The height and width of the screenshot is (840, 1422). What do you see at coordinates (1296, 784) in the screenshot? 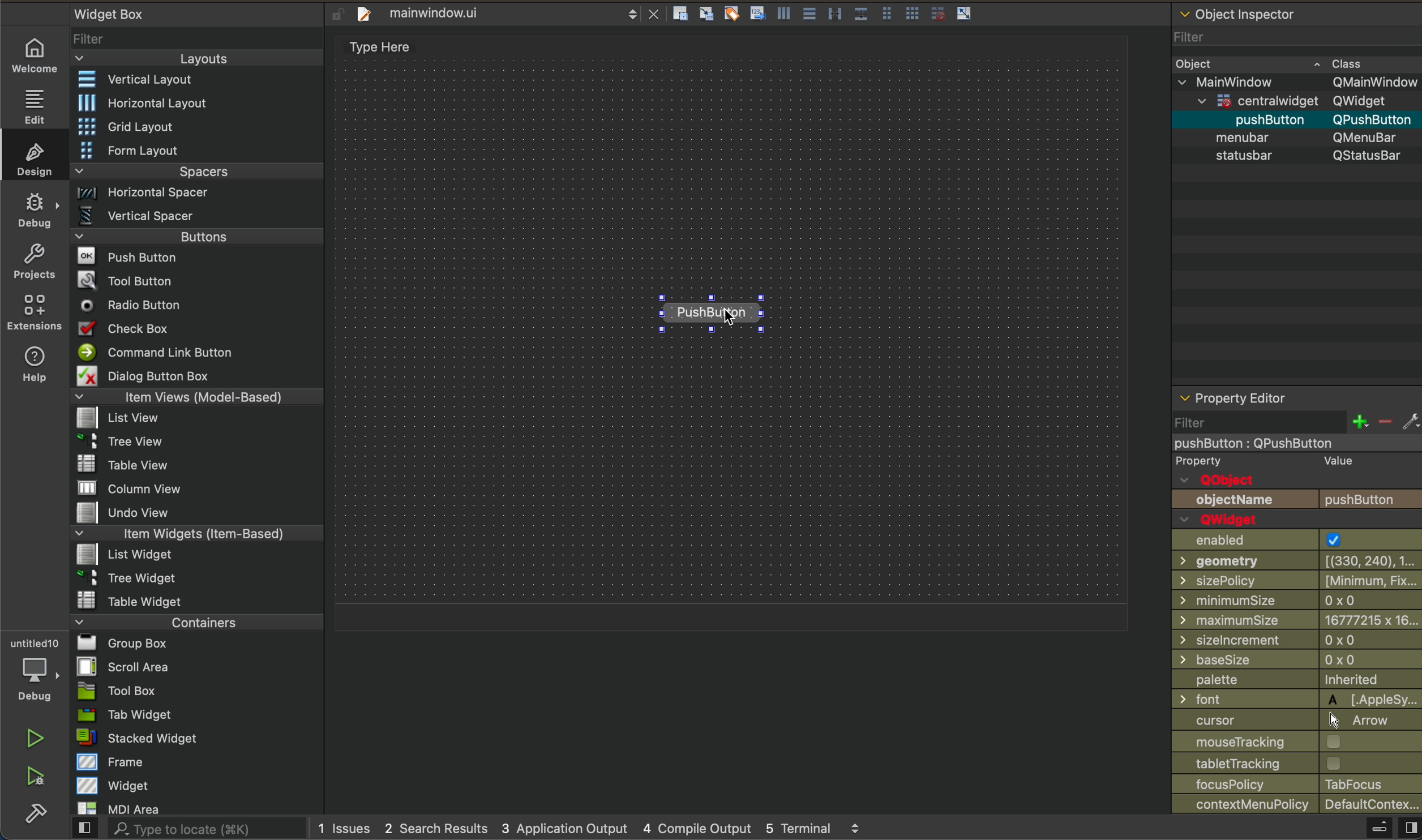
I see `focus` at bounding box center [1296, 784].